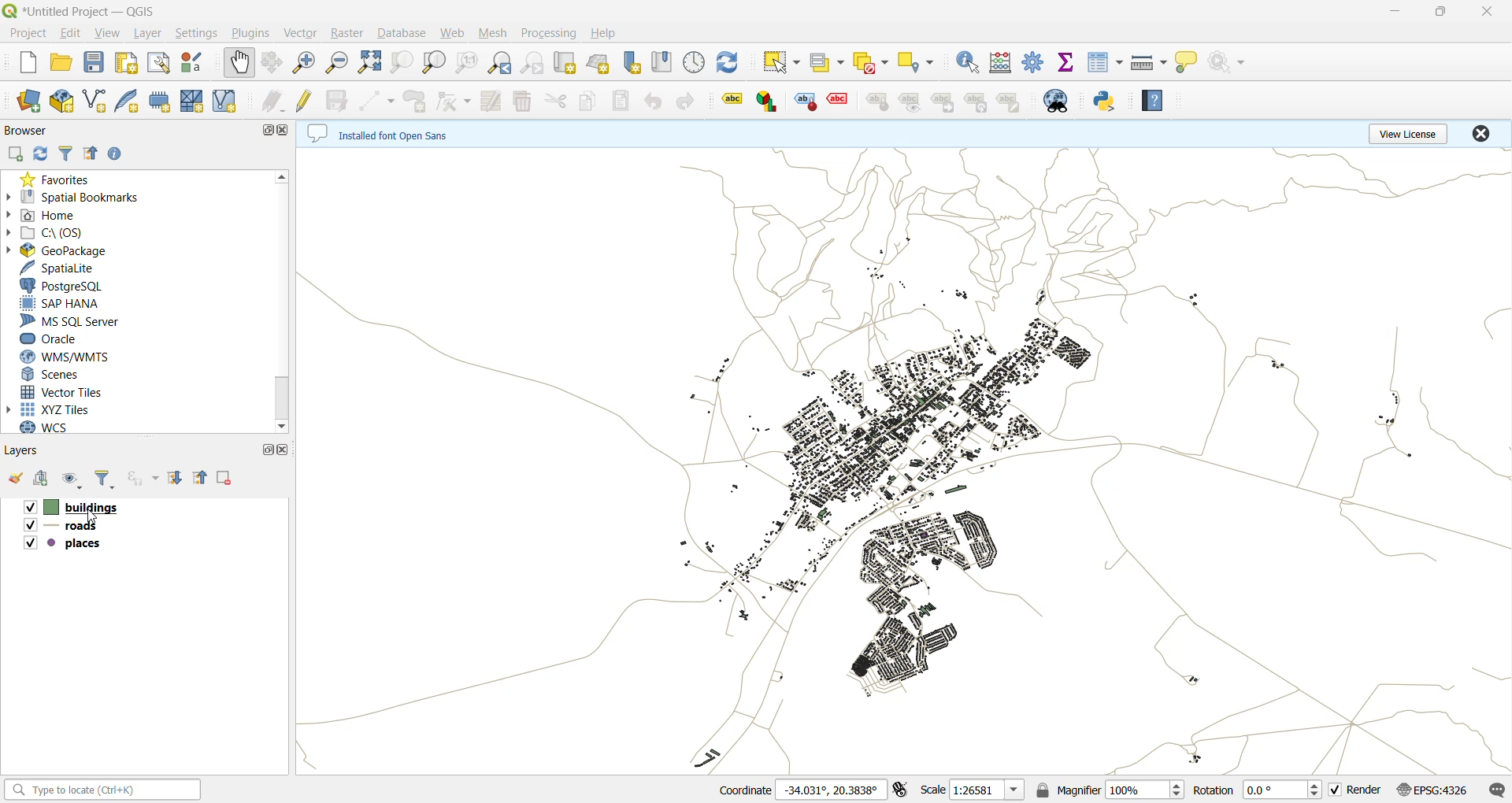  Describe the element at coordinates (67, 526) in the screenshot. I see `roads` at that location.